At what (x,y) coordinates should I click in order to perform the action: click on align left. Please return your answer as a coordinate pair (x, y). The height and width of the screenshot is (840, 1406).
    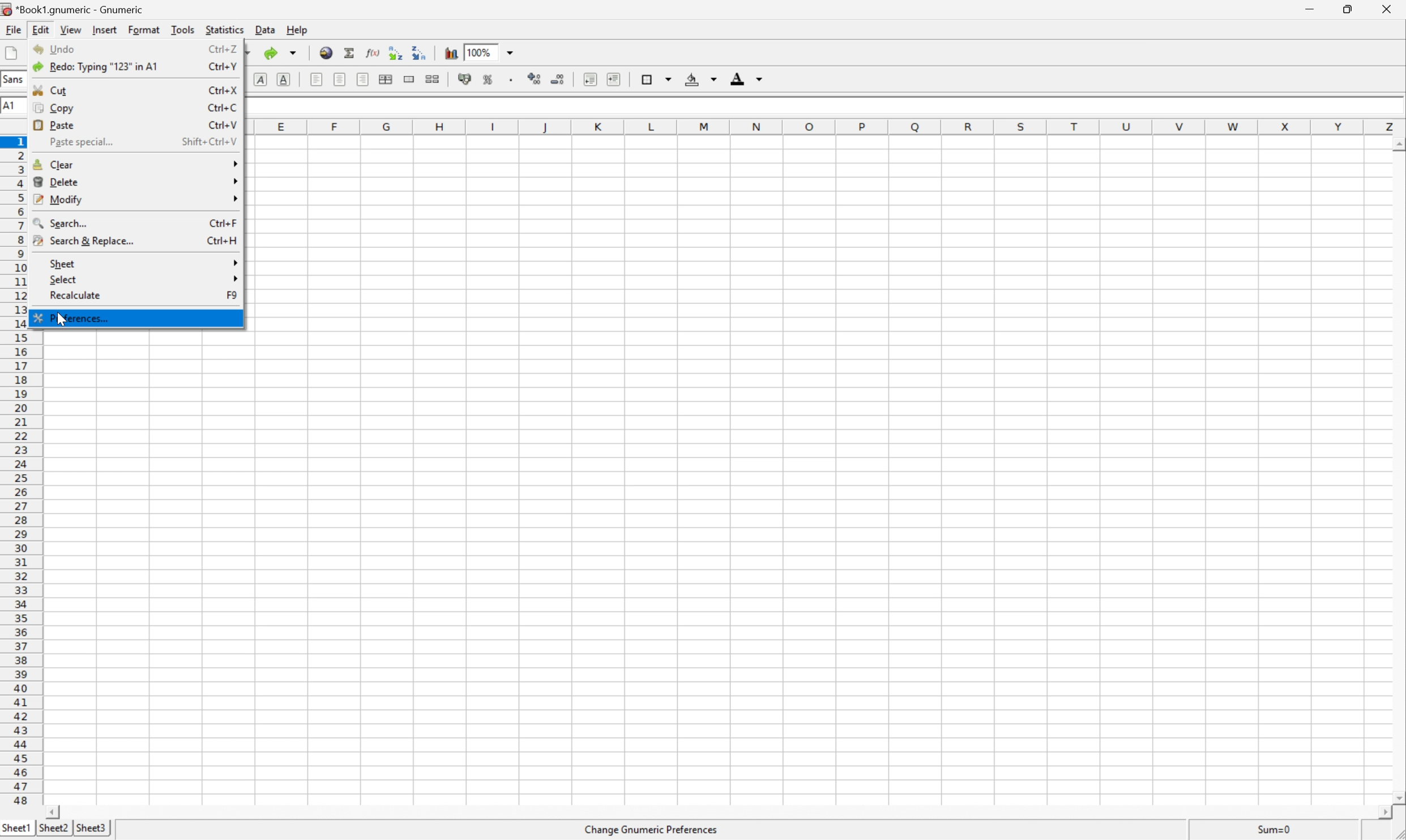
    Looking at the image, I should click on (317, 79).